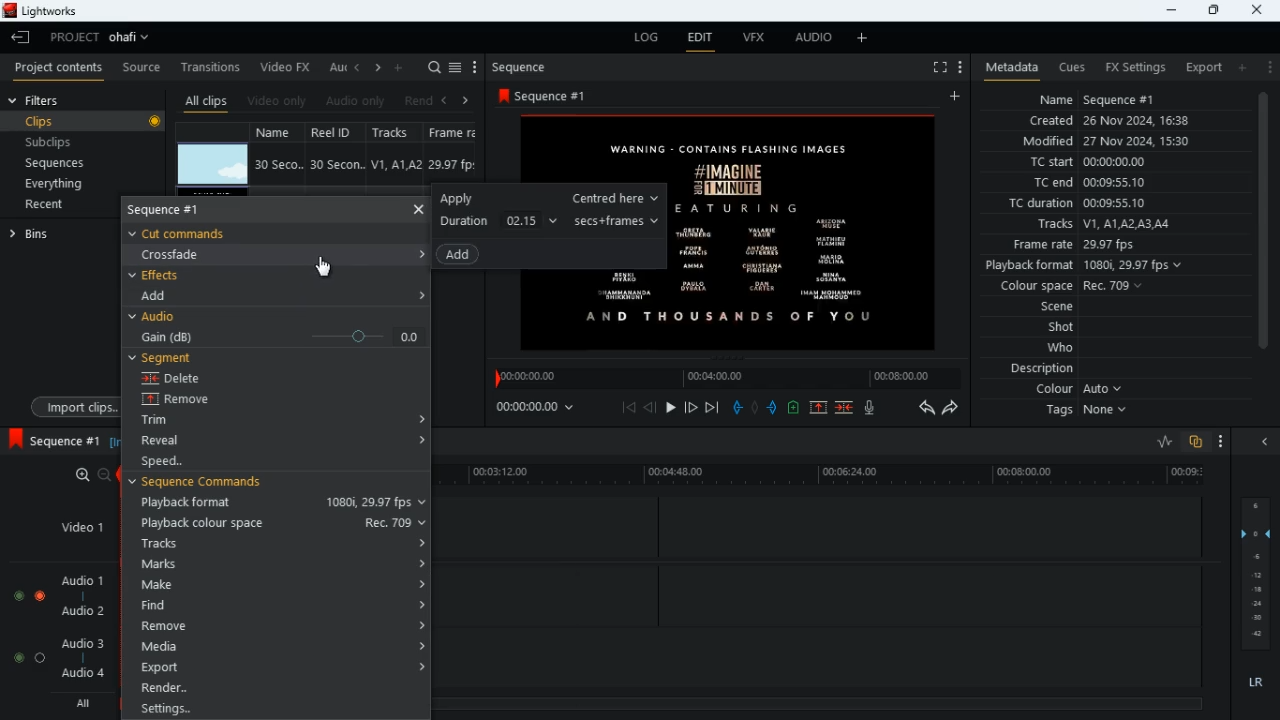 Image resolution: width=1280 pixels, height=720 pixels. Describe the element at coordinates (278, 101) in the screenshot. I see `video only` at that location.